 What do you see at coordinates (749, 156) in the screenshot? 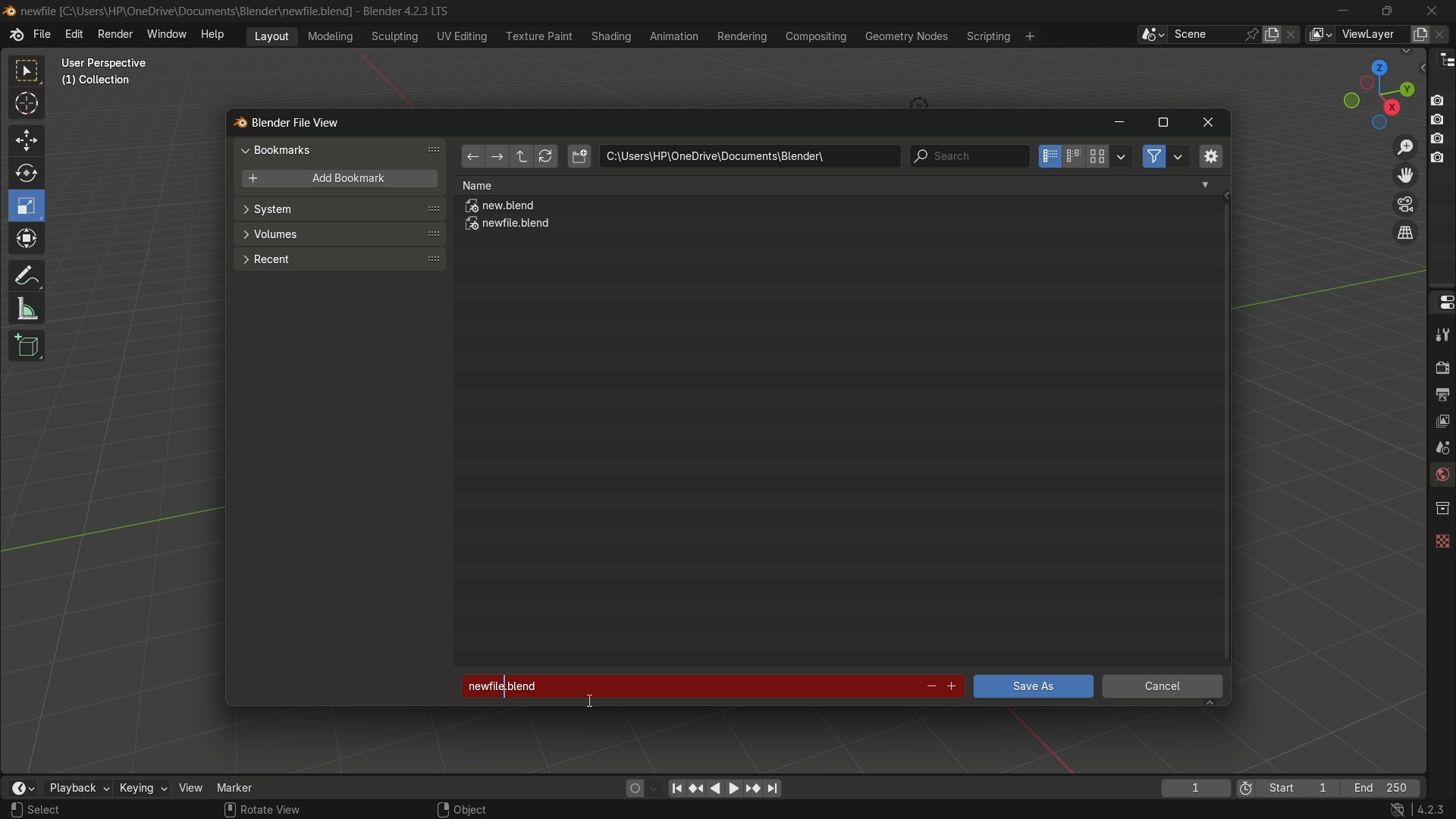
I see `location` at bounding box center [749, 156].